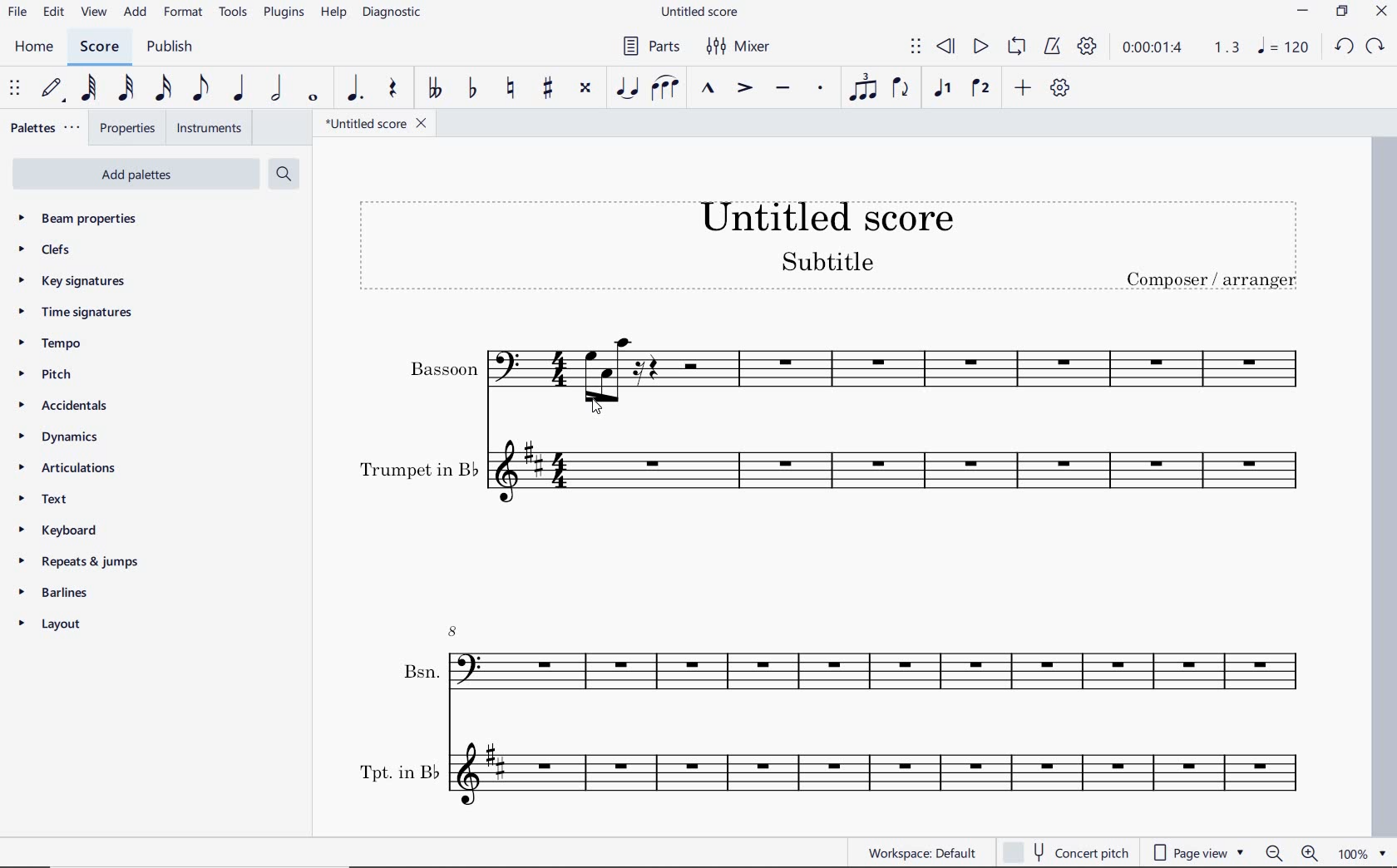 The image size is (1397, 868). What do you see at coordinates (597, 410) in the screenshot?
I see `cursor` at bounding box center [597, 410].